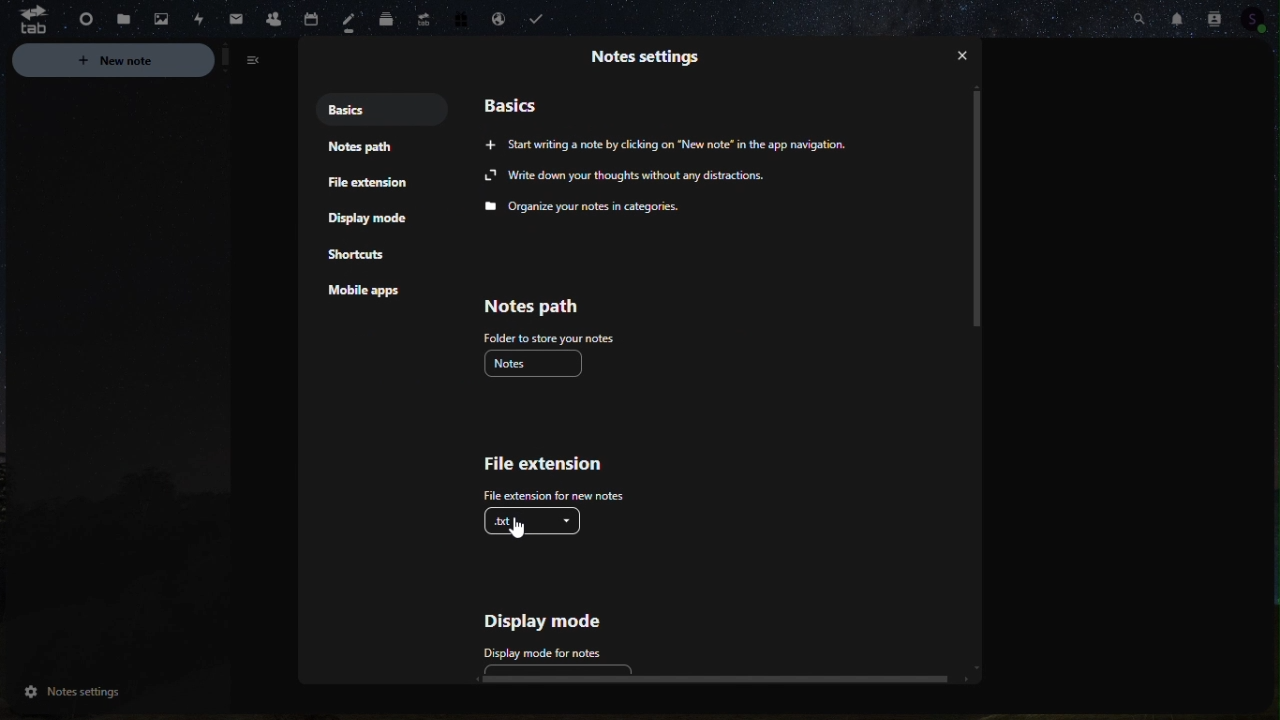 This screenshot has height=720, width=1280. What do you see at coordinates (975, 210) in the screenshot?
I see `vertical scroll bar` at bounding box center [975, 210].